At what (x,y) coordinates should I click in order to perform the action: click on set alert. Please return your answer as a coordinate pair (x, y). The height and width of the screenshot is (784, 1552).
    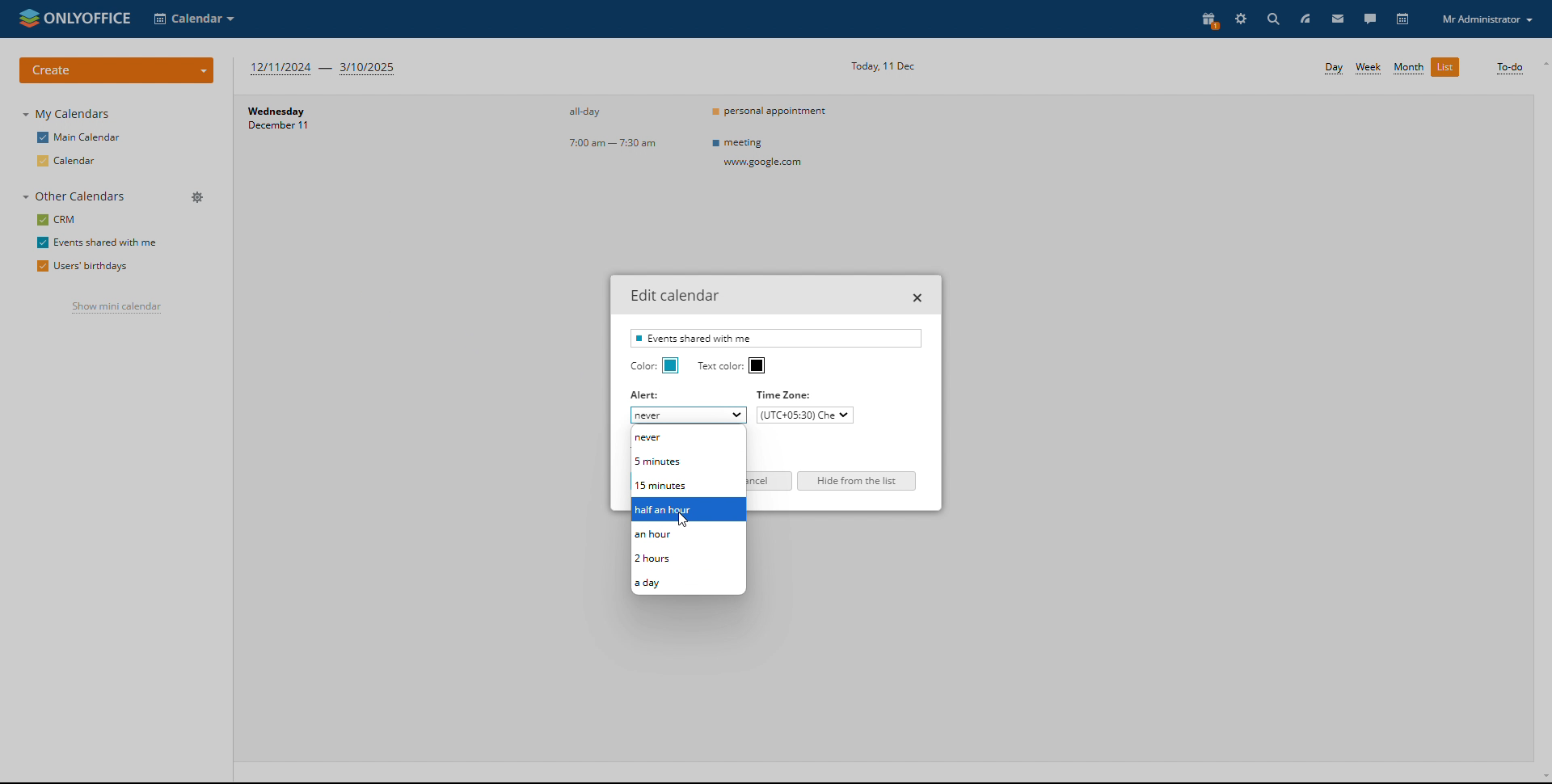
    Looking at the image, I should click on (689, 415).